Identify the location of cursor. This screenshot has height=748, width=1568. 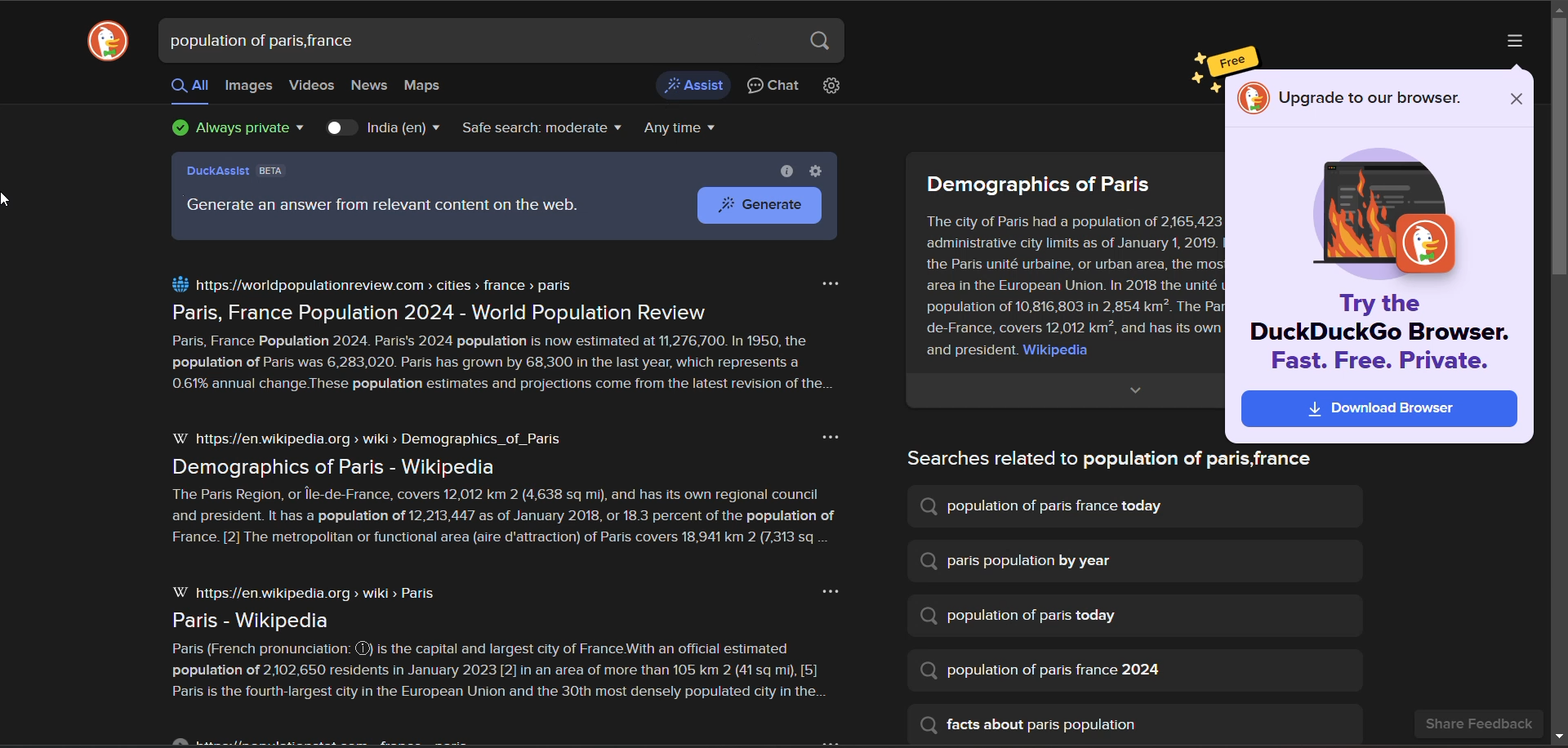
(10, 200).